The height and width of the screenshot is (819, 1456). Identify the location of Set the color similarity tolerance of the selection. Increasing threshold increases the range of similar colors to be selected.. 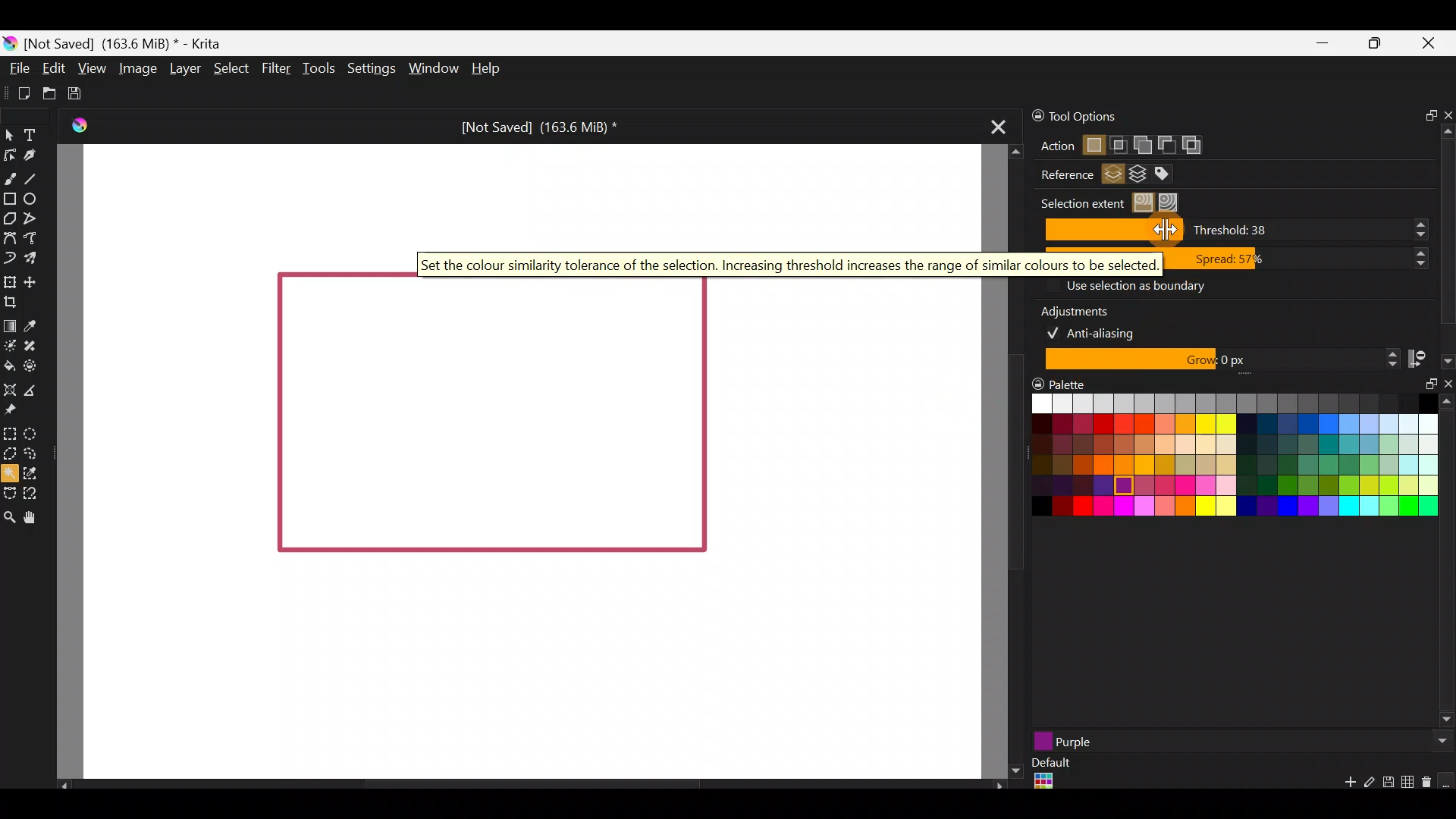
(788, 262).